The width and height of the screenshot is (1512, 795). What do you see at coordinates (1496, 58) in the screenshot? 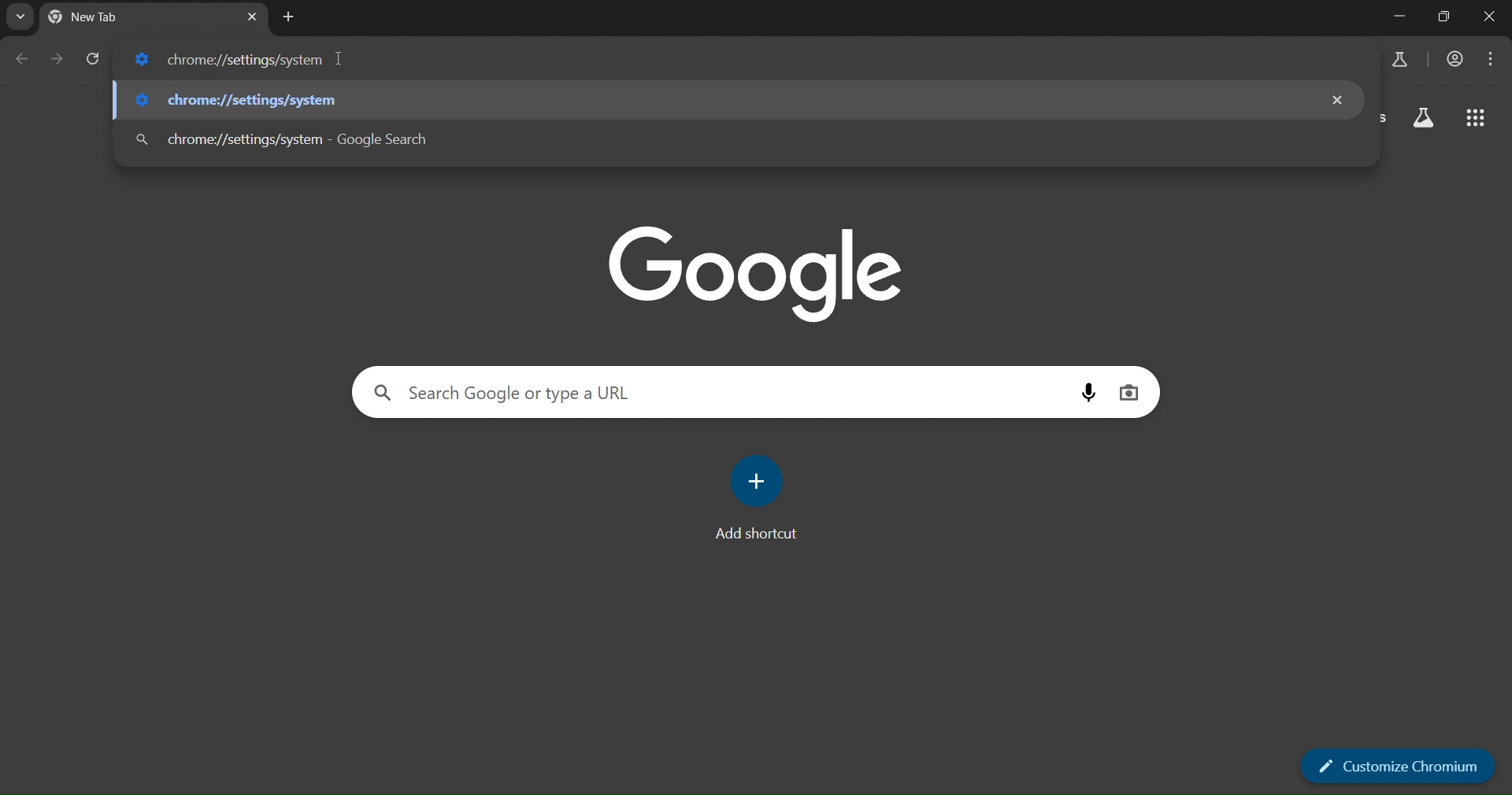
I see `menu` at bounding box center [1496, 58].